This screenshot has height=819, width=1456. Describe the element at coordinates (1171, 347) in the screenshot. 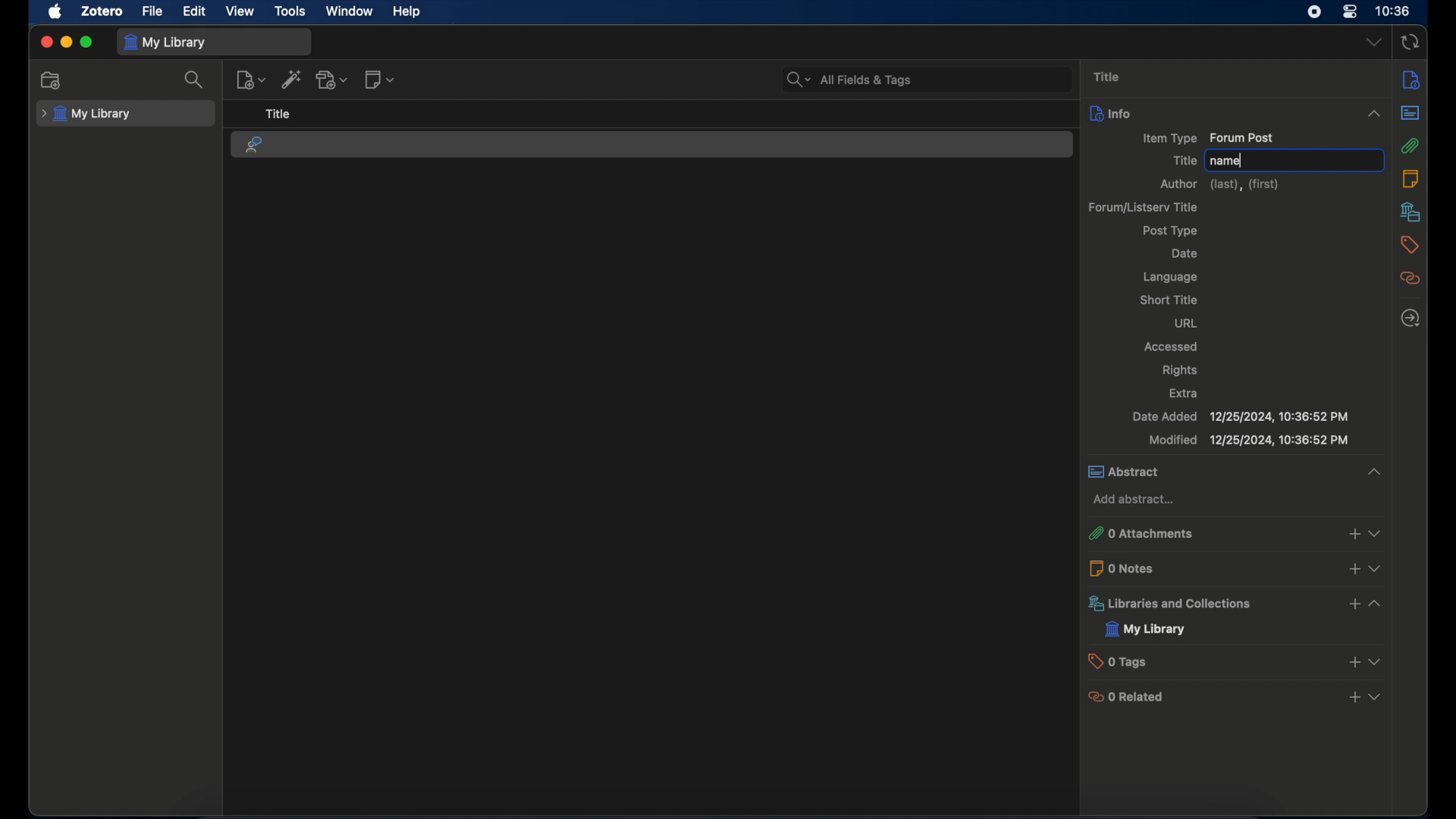

I see `accessed` at that location.